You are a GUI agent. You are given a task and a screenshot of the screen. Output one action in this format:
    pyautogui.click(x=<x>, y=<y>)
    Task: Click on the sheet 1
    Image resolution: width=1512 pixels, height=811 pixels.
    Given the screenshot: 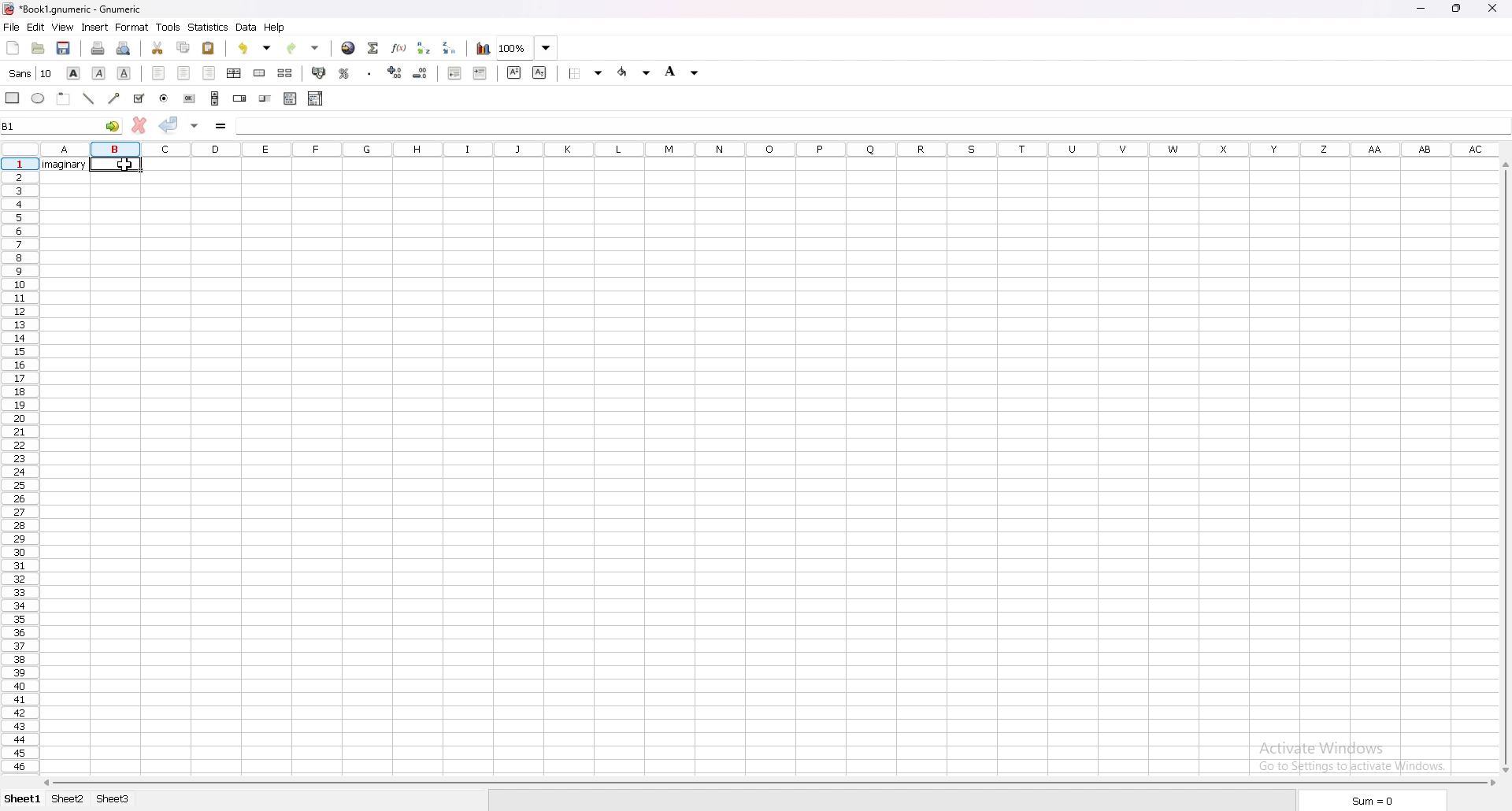 What is the action you would take?
    pyautogui.click(x=24, y=799)
    